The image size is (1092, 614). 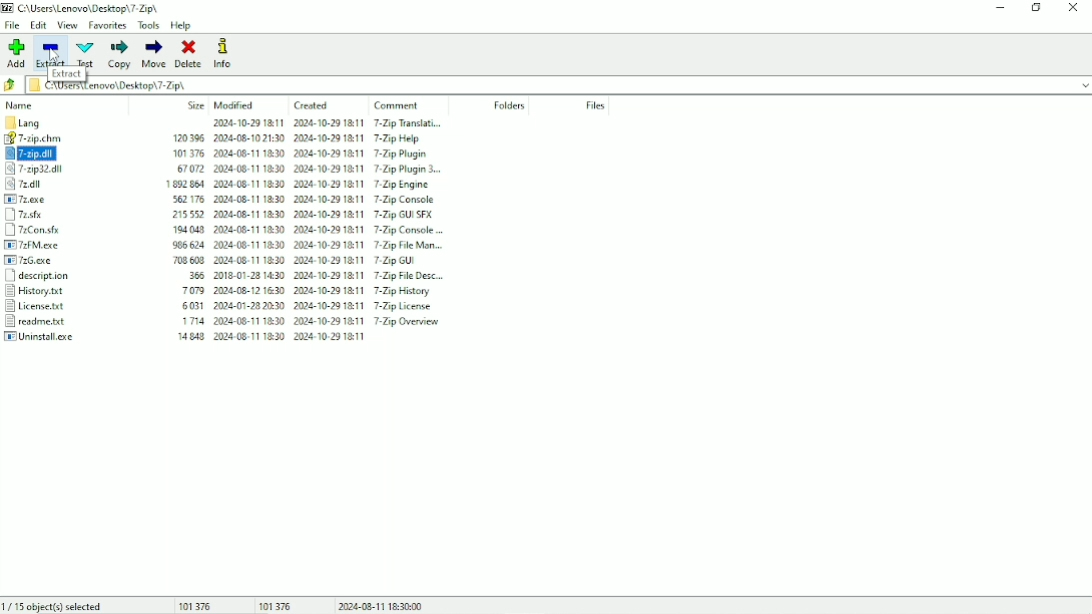 I want to click on Uninstall.exe, so click(x=55, y=337).